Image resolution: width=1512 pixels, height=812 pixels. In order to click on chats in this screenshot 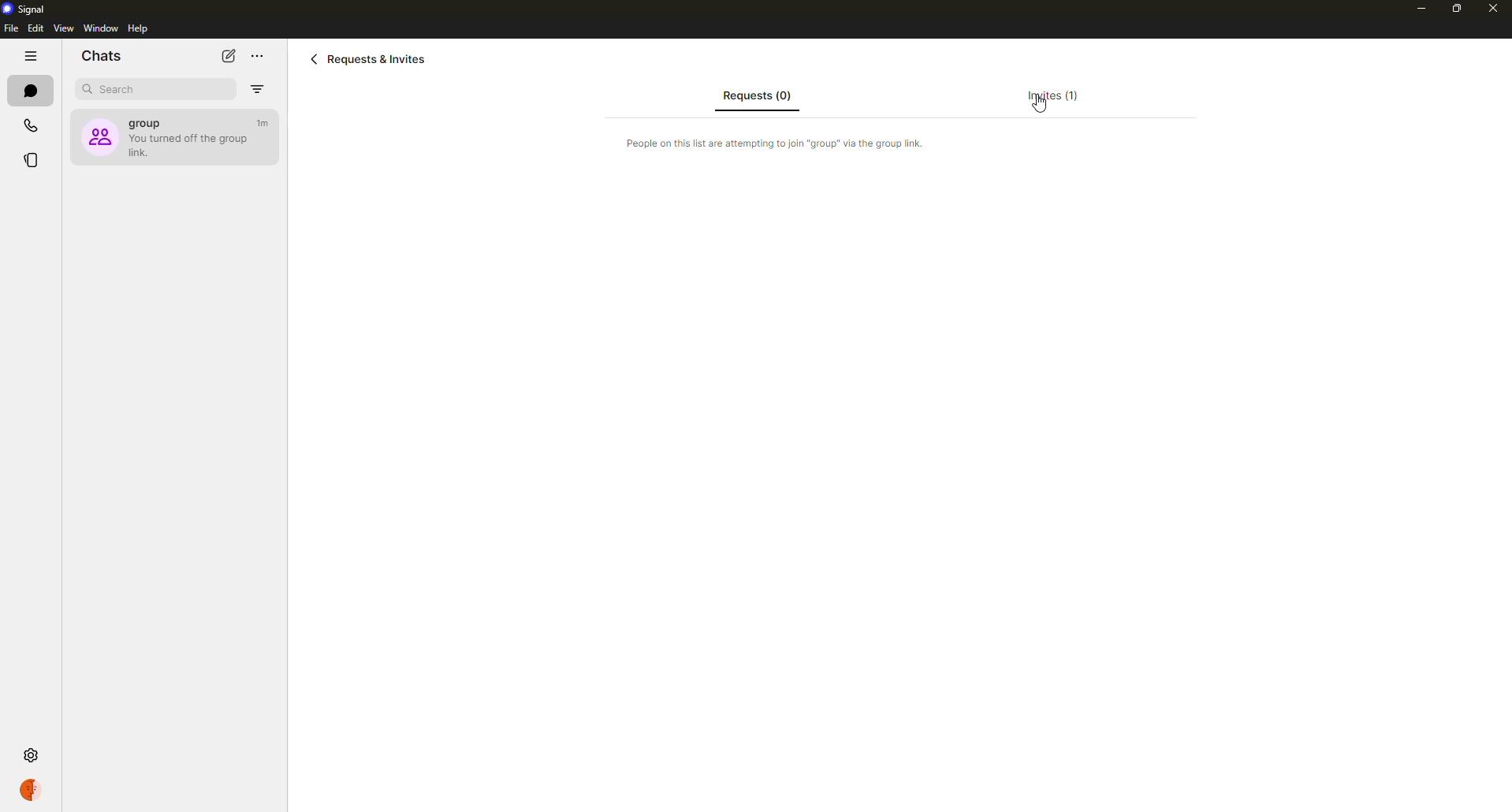, I will do `click(102, 56)`.